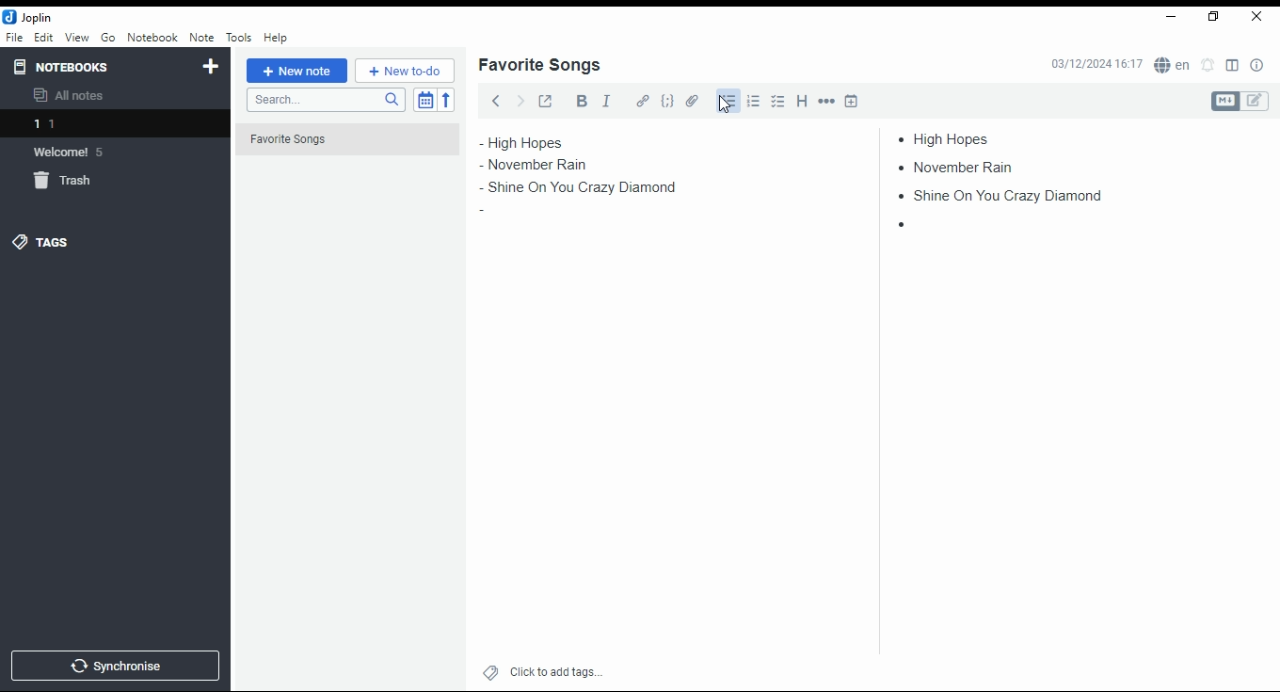  Describe the element at coordinates (725, 104) in the screenshot. I see `mouse pointer` at that location.